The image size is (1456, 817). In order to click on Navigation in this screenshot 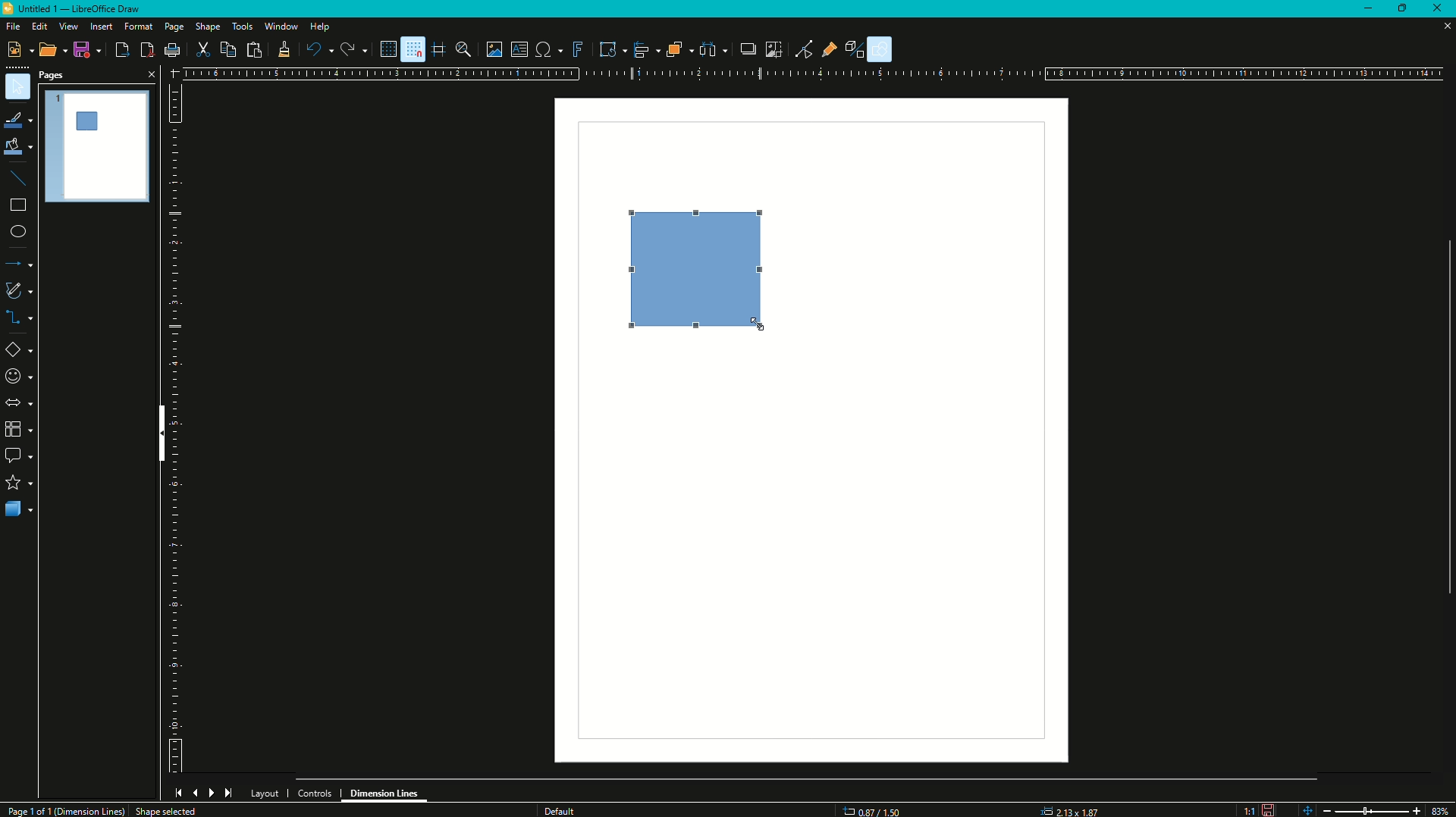, I will do `click(203, 793)`.